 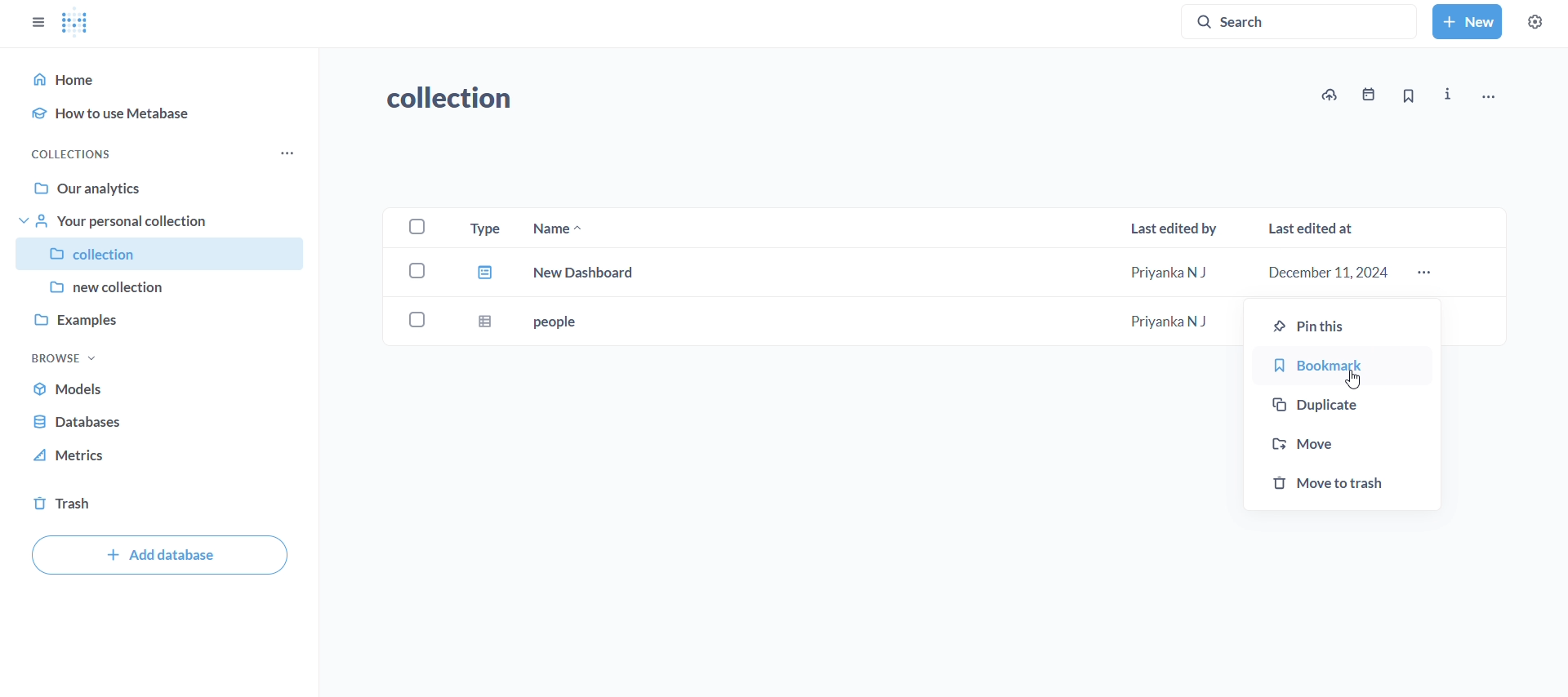 What do you see at coordinates (164, 223) in the screenshot?
I see `your personal collection` at bounding box center [164, 223].